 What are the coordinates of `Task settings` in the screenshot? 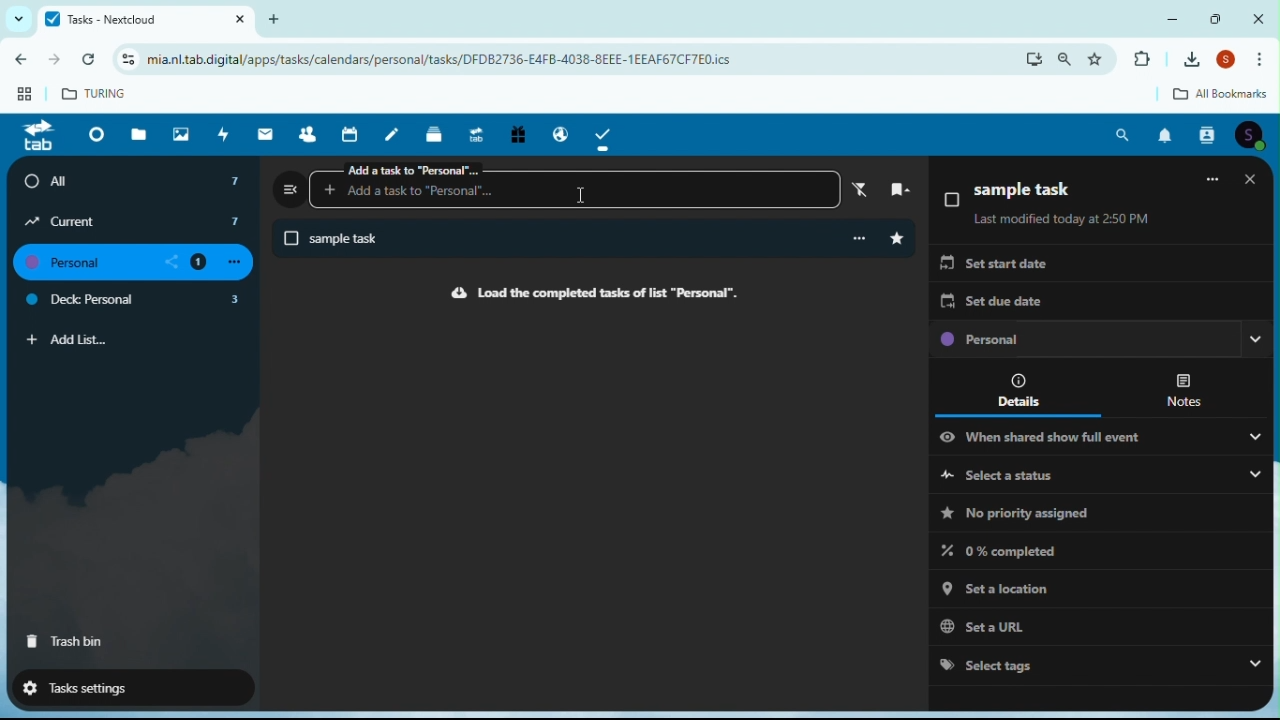 It's located at (123, 686).